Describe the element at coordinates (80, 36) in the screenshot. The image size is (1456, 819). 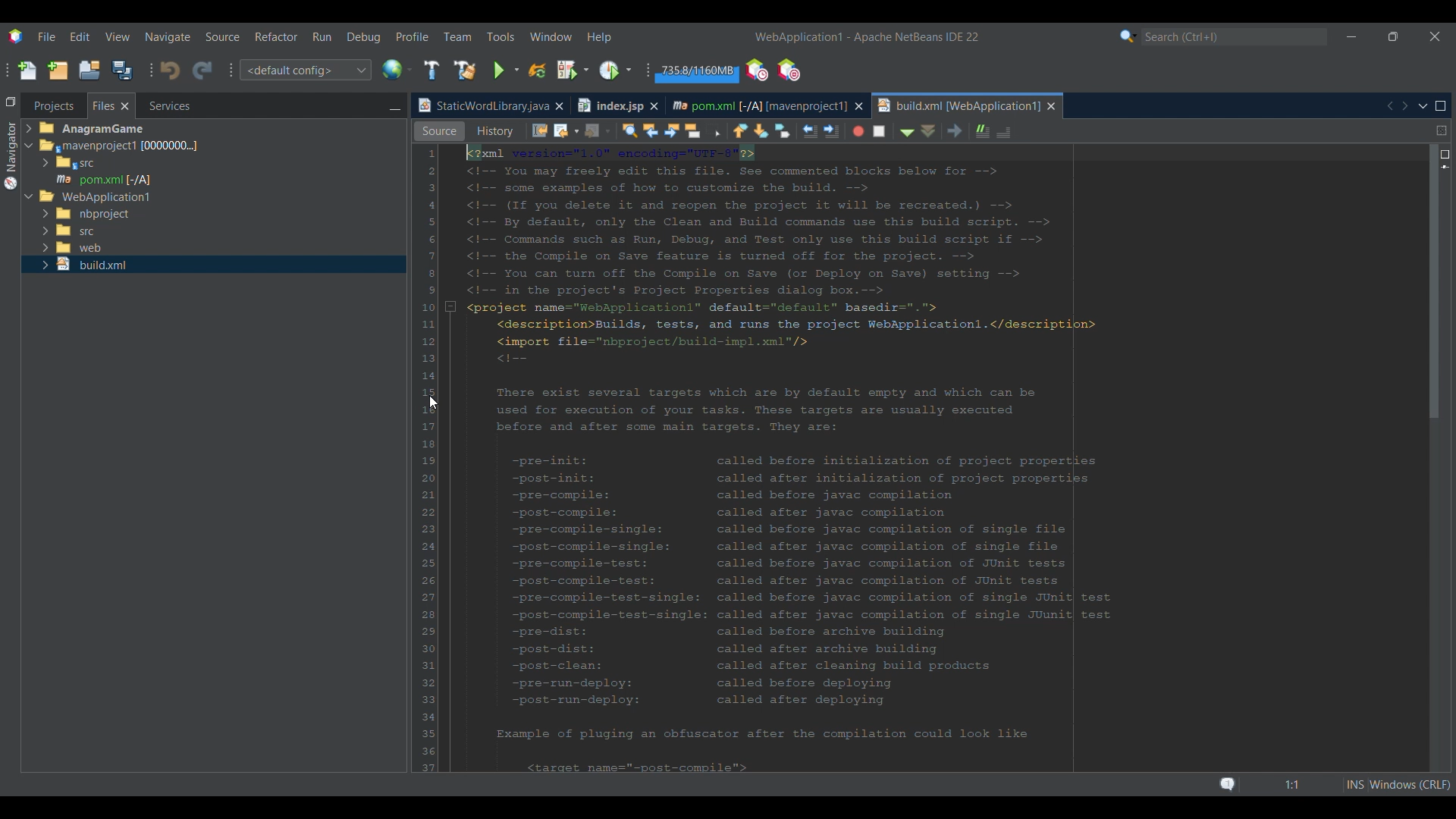
I see `Edit menu` at that location.